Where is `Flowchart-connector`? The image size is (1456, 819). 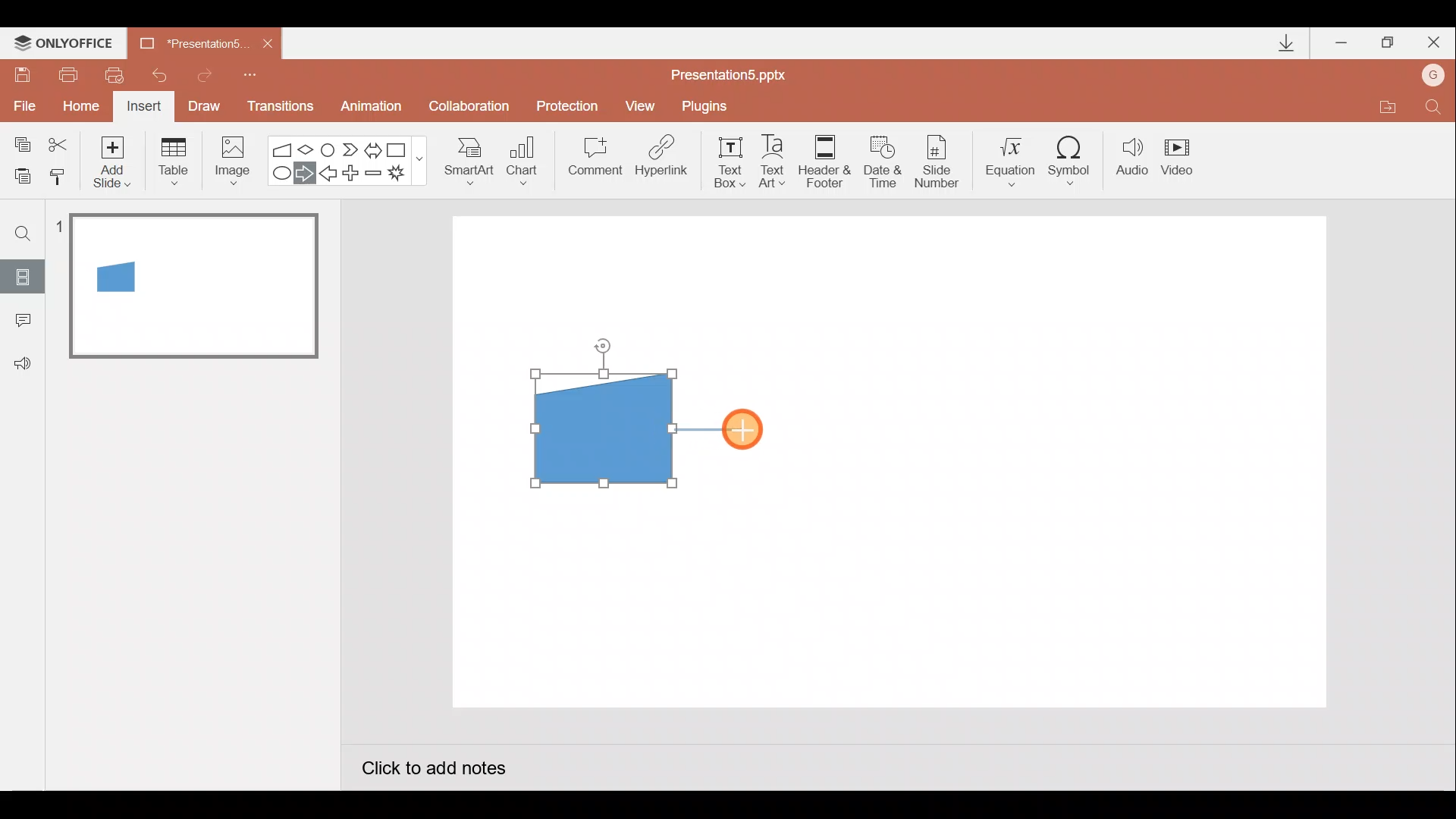
Flowchart-connector is located at coordinates (329, 149).